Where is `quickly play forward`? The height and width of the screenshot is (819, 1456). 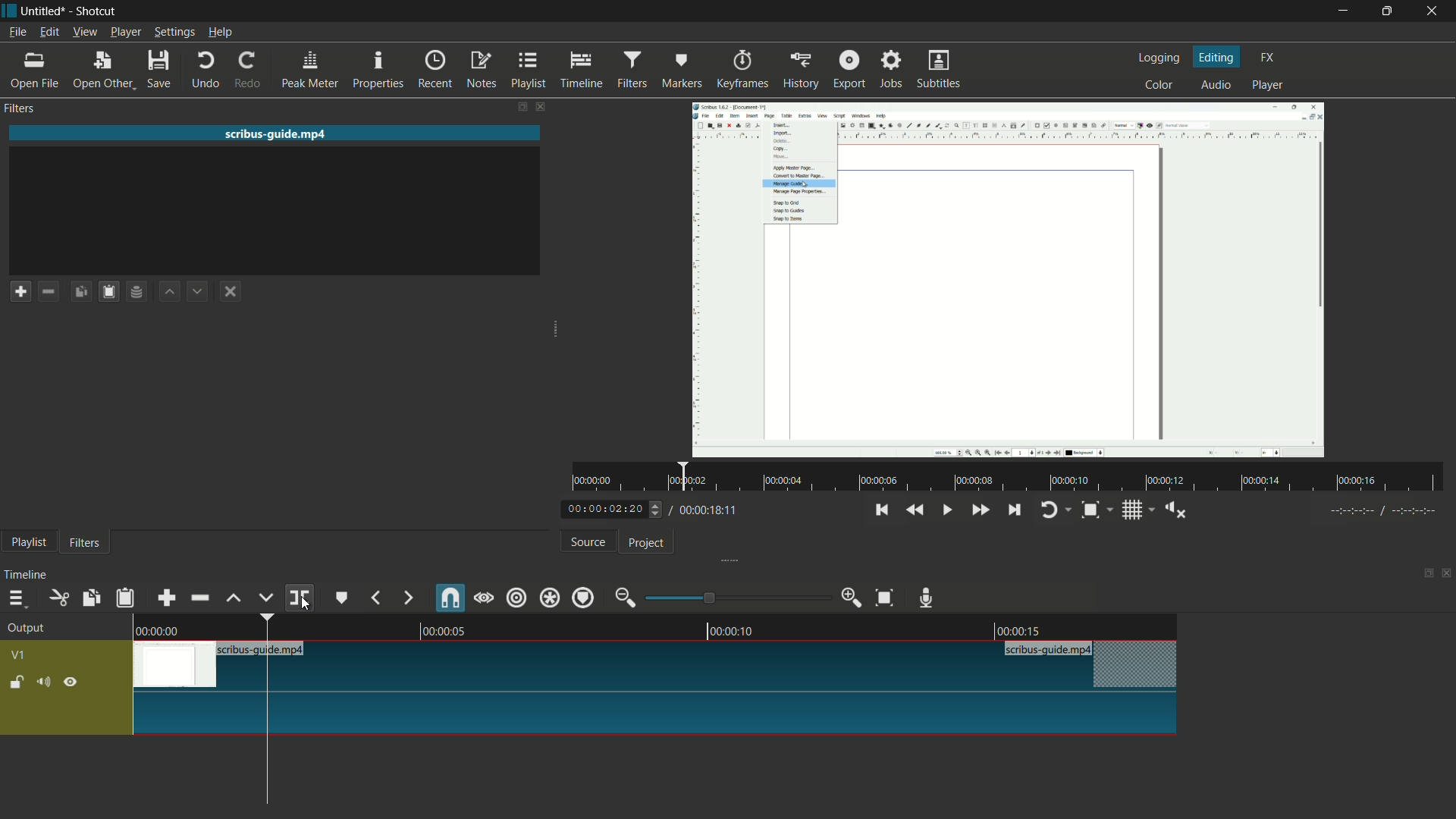
quickly play forward is located at coordinates (981, 510).